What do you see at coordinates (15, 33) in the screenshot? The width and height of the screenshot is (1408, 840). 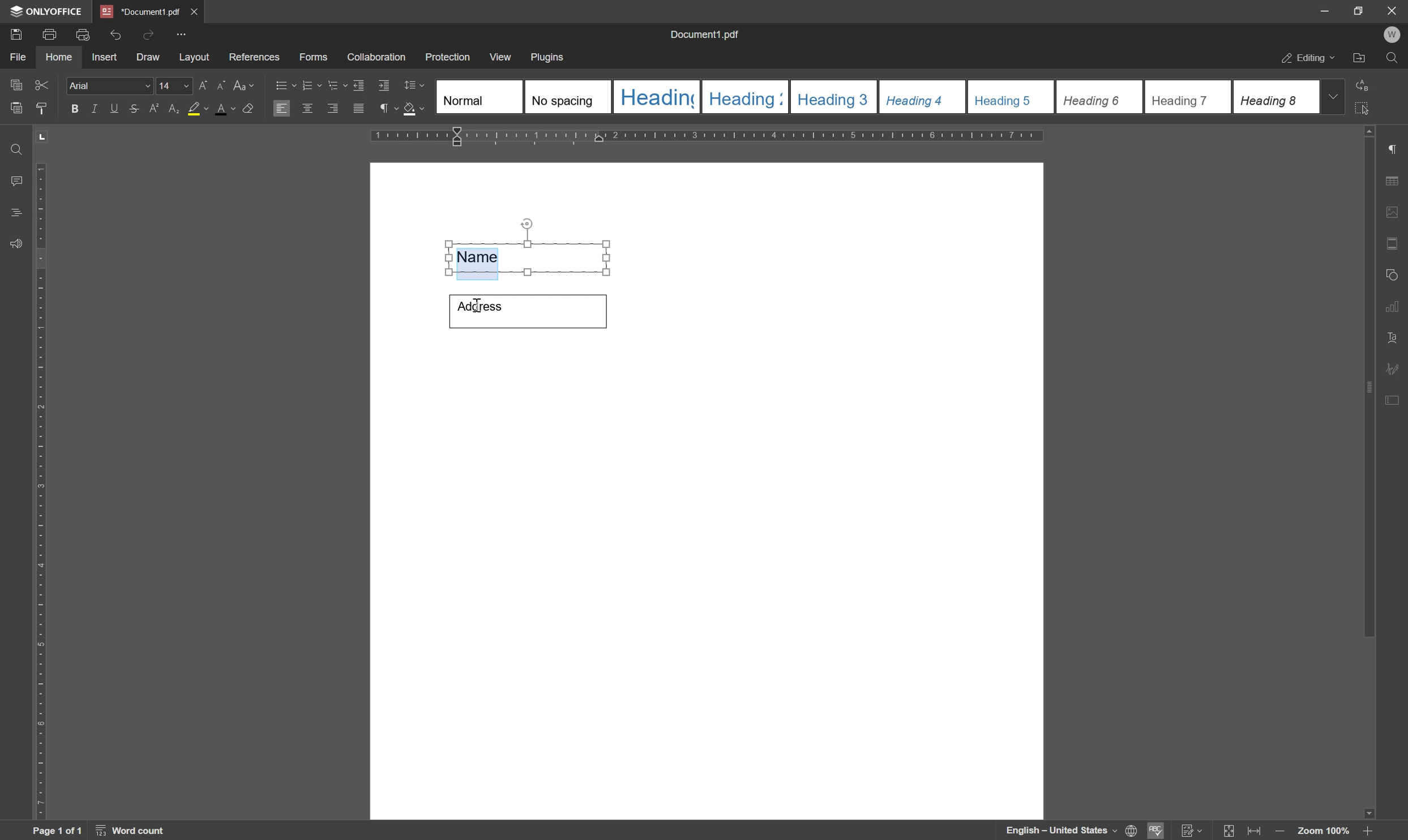 I see `save` at bounding box center [15, 33].